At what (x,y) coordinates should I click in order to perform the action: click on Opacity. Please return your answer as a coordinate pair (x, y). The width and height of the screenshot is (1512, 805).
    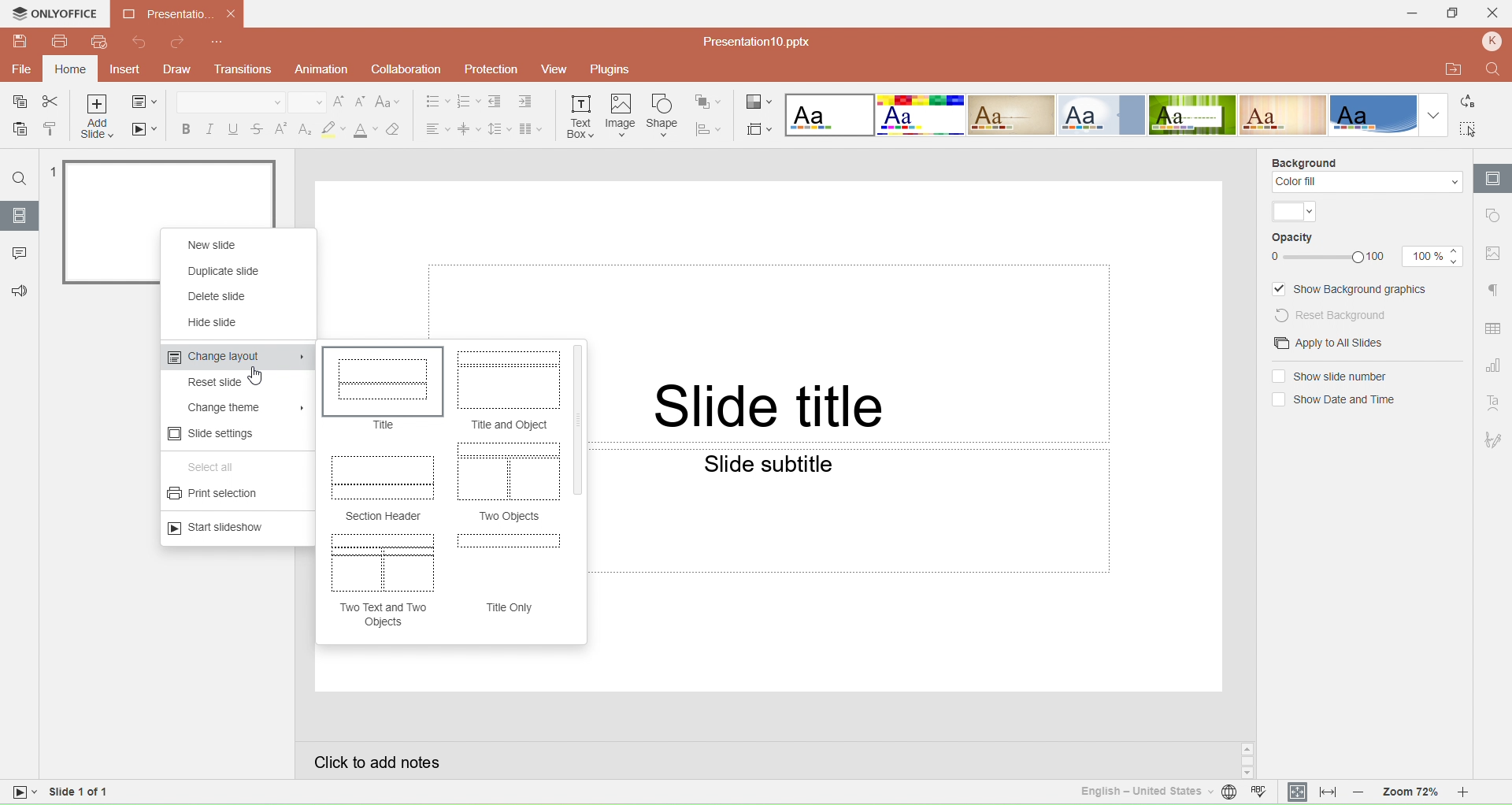
    Looking at the image, I should click on (1294, 239).